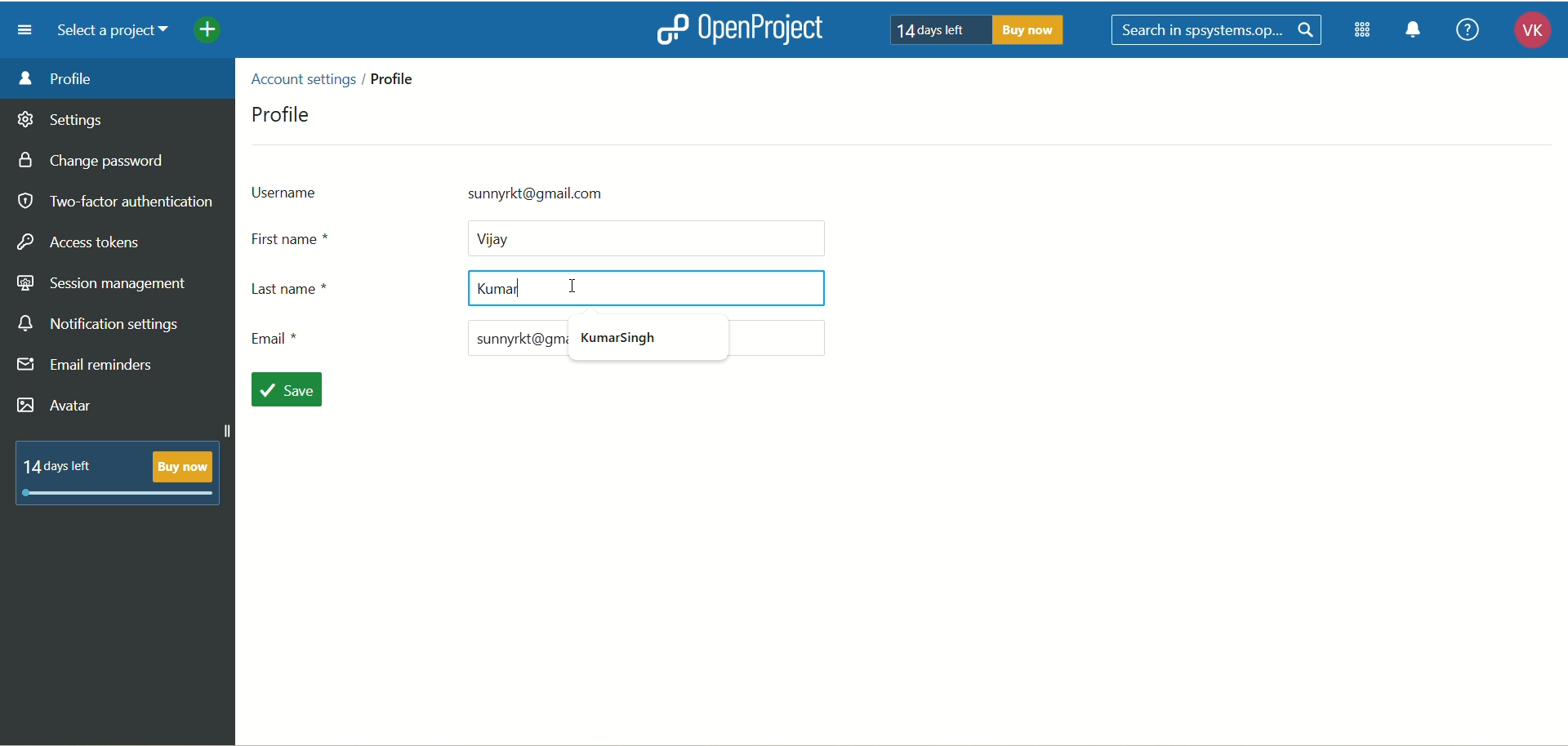  What do you see at coordinates (670, 29) in the screenshot?
I see `logo` at bounding box center [670, 29].